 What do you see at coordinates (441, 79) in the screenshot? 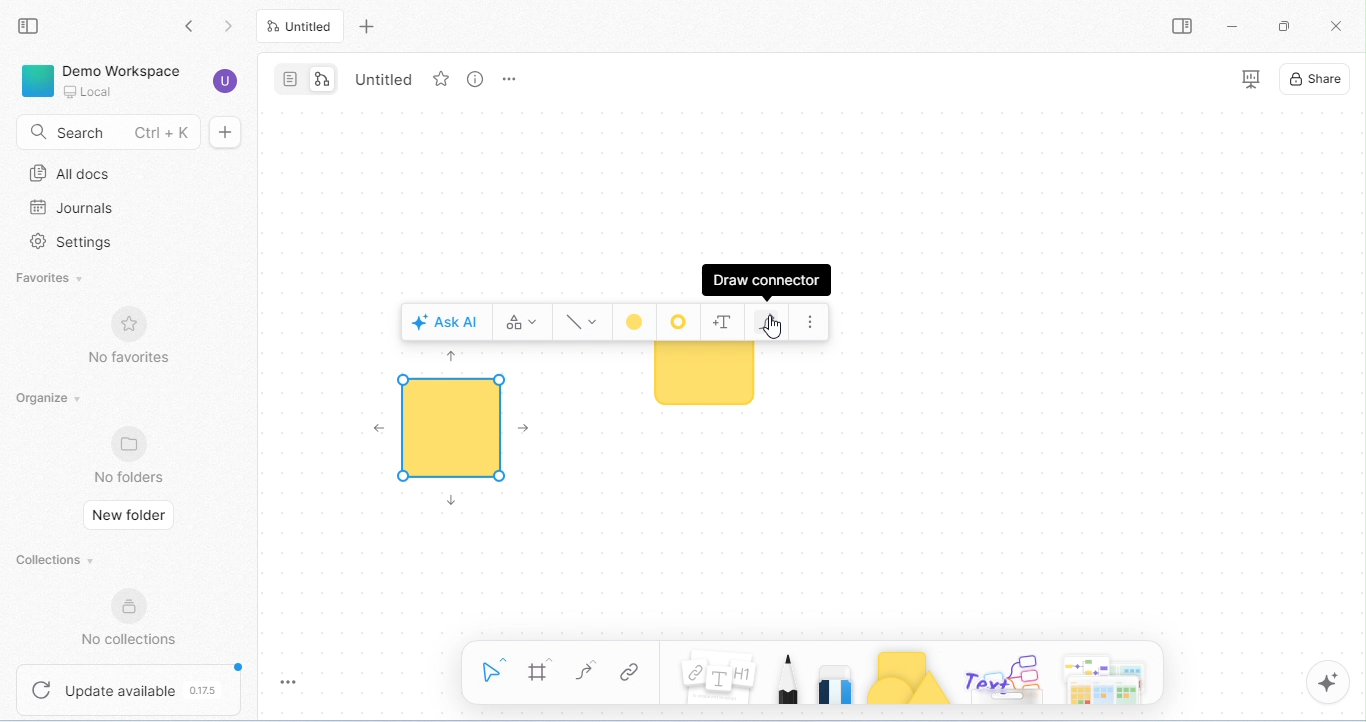
I see `favorite` at bounding box center [441, 79].